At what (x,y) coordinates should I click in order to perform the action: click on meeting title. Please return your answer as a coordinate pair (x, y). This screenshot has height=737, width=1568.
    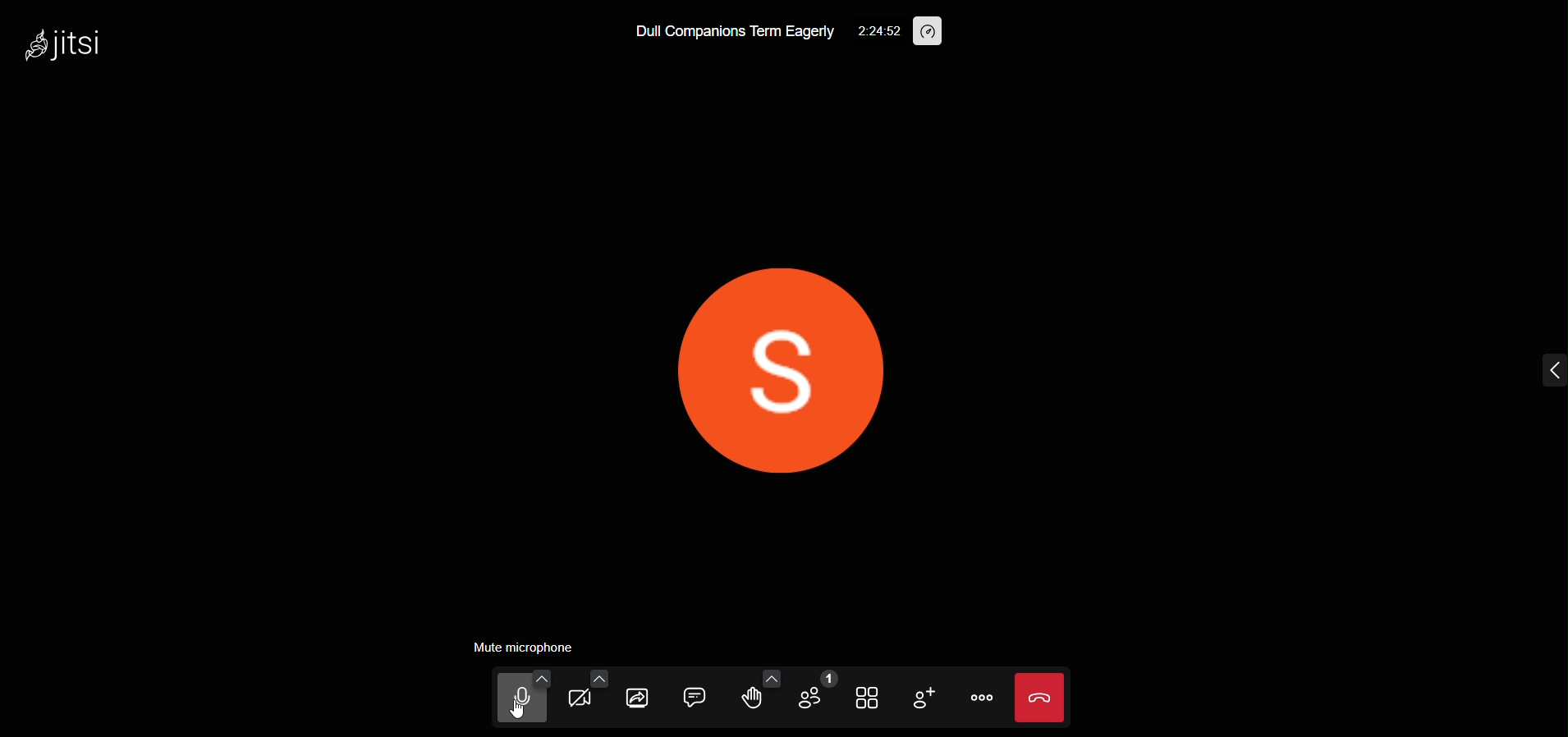
    Looking at the image, I should click on (730, 31).